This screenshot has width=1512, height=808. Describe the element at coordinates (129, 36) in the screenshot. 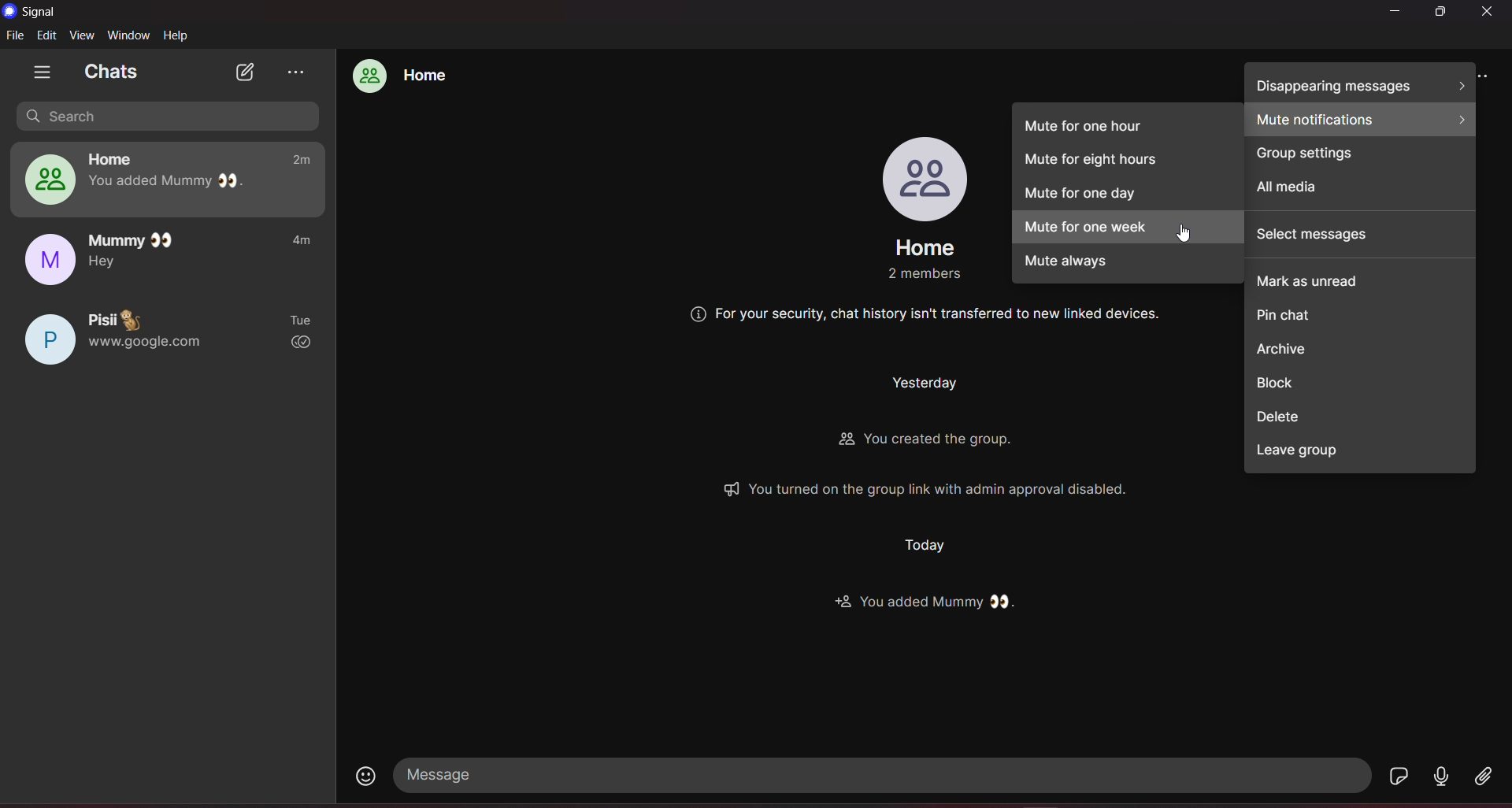

I see `window` at that location.